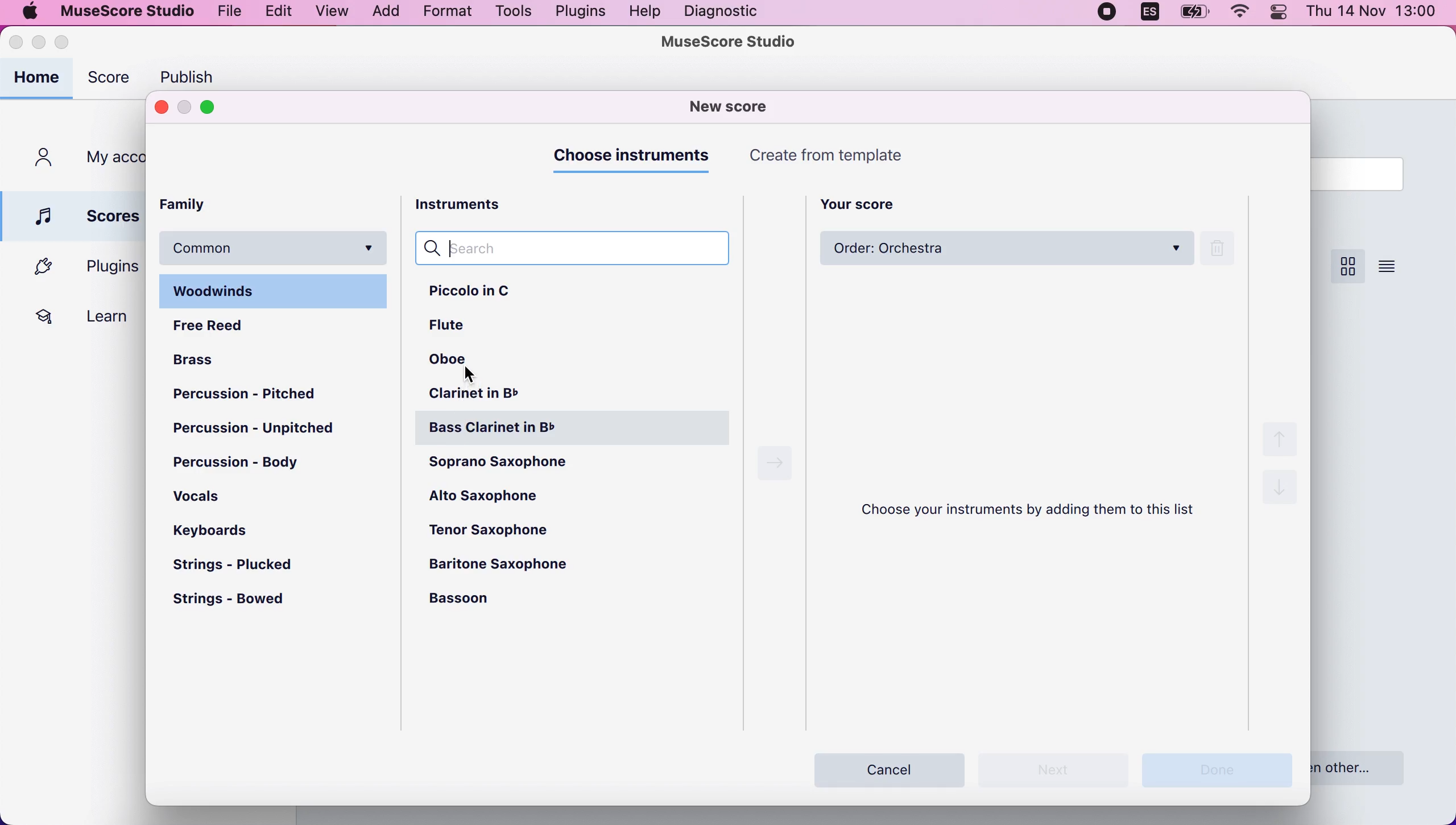 The width and height of the screenshot is (1456, 825). What do you see at coordinates (1195, 16) in the screenshot?
I see `battery` at bounding box center [1195, 16].